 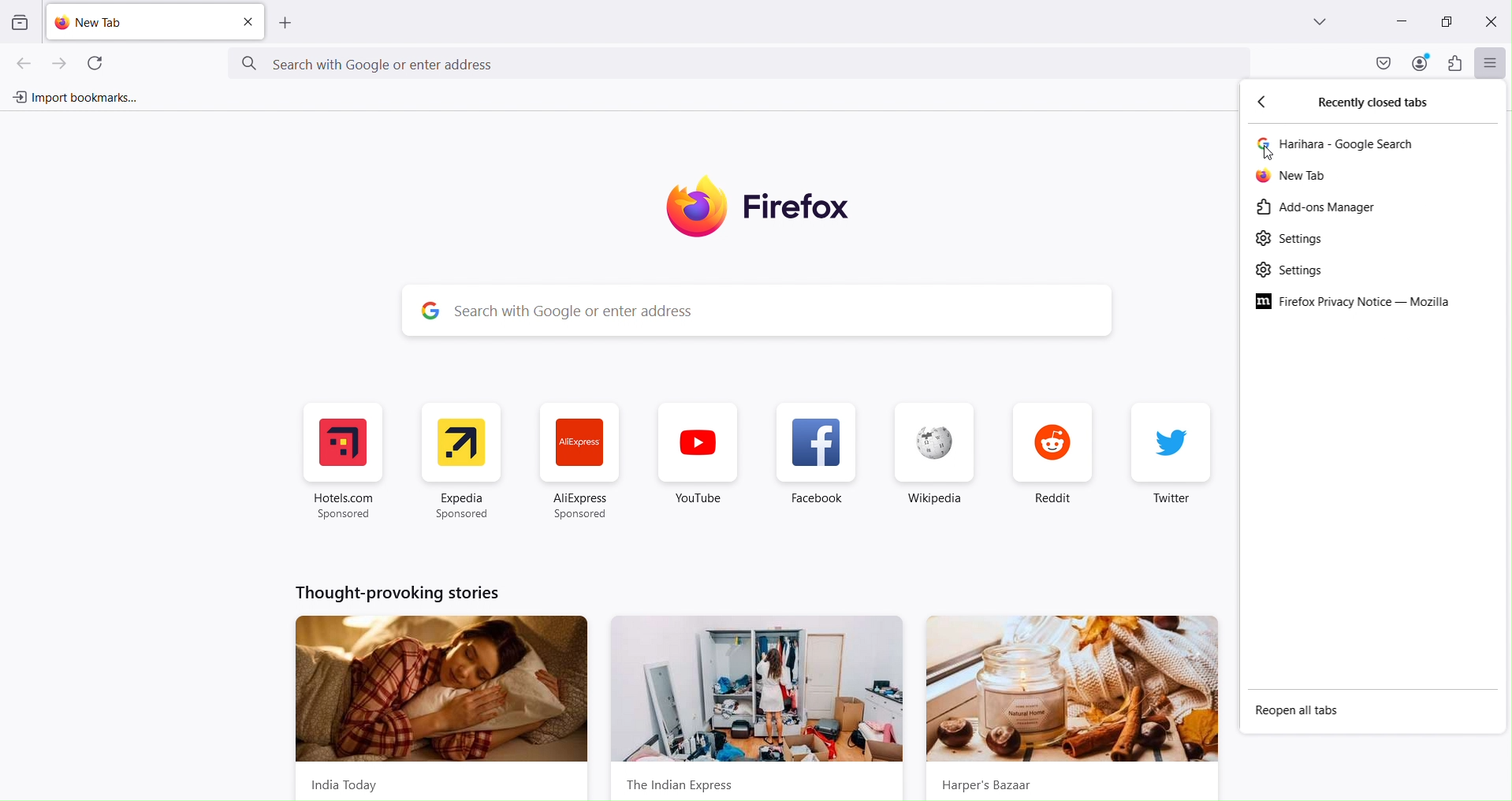 I want to click on Settings, so click(x=1289, y=240).